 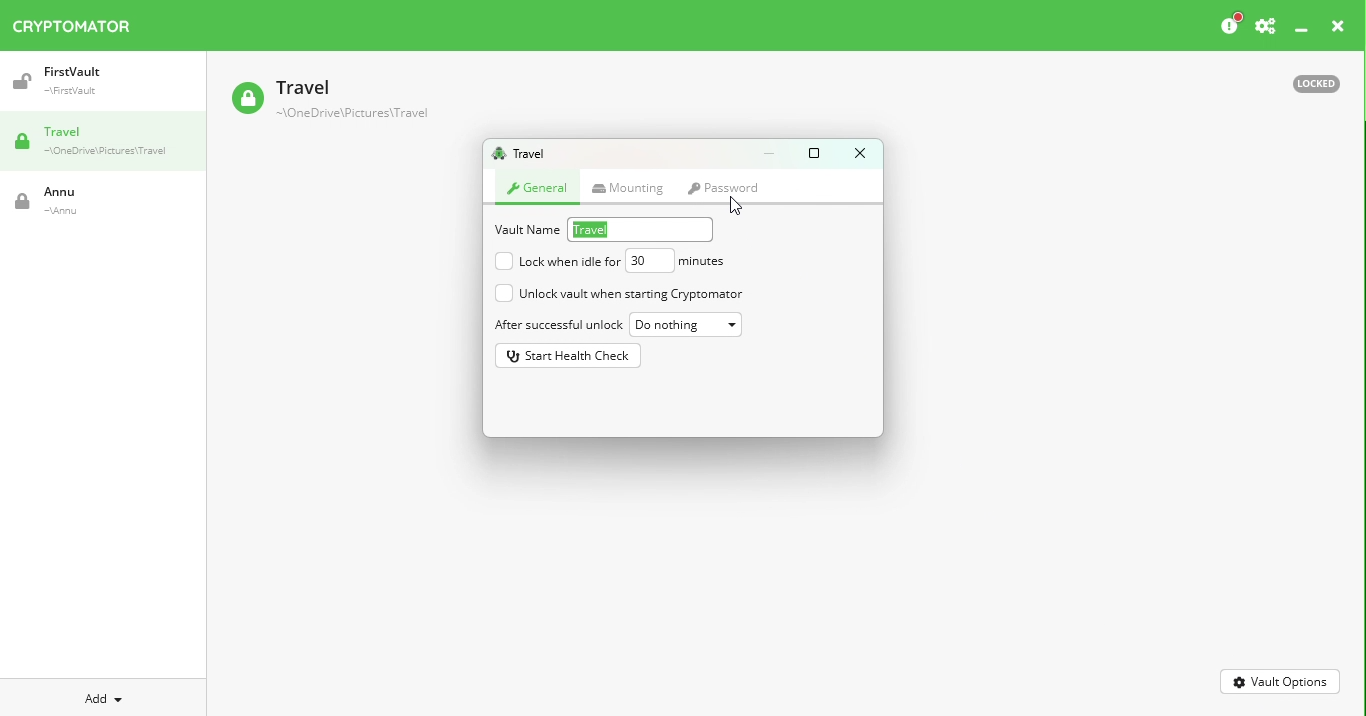 I want to click on Vault name, so click(x=601, y=232).